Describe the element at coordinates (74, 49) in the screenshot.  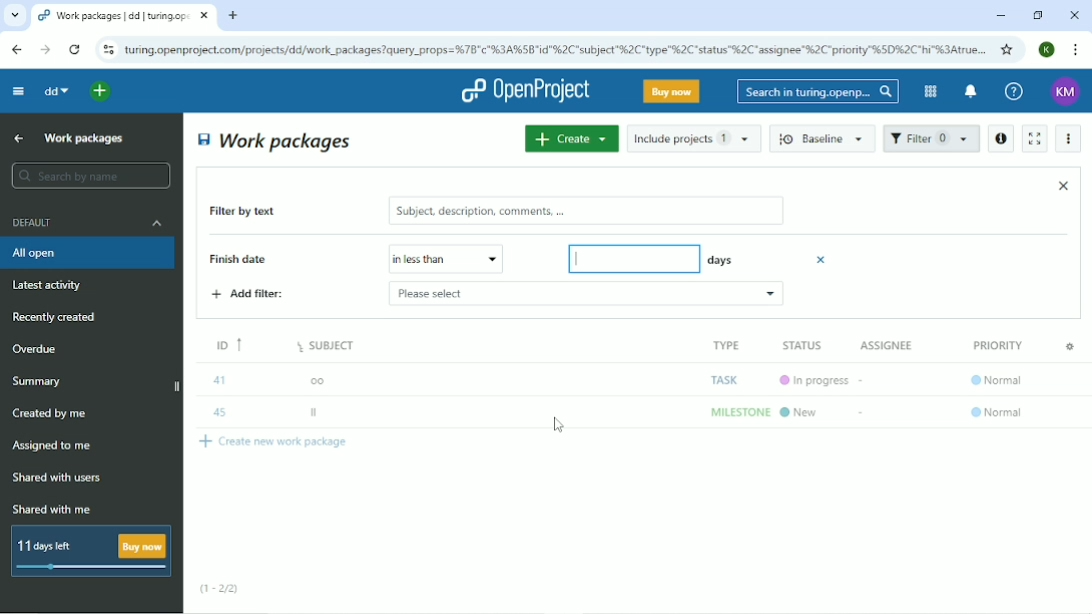
I see `Reload this page` at that location.